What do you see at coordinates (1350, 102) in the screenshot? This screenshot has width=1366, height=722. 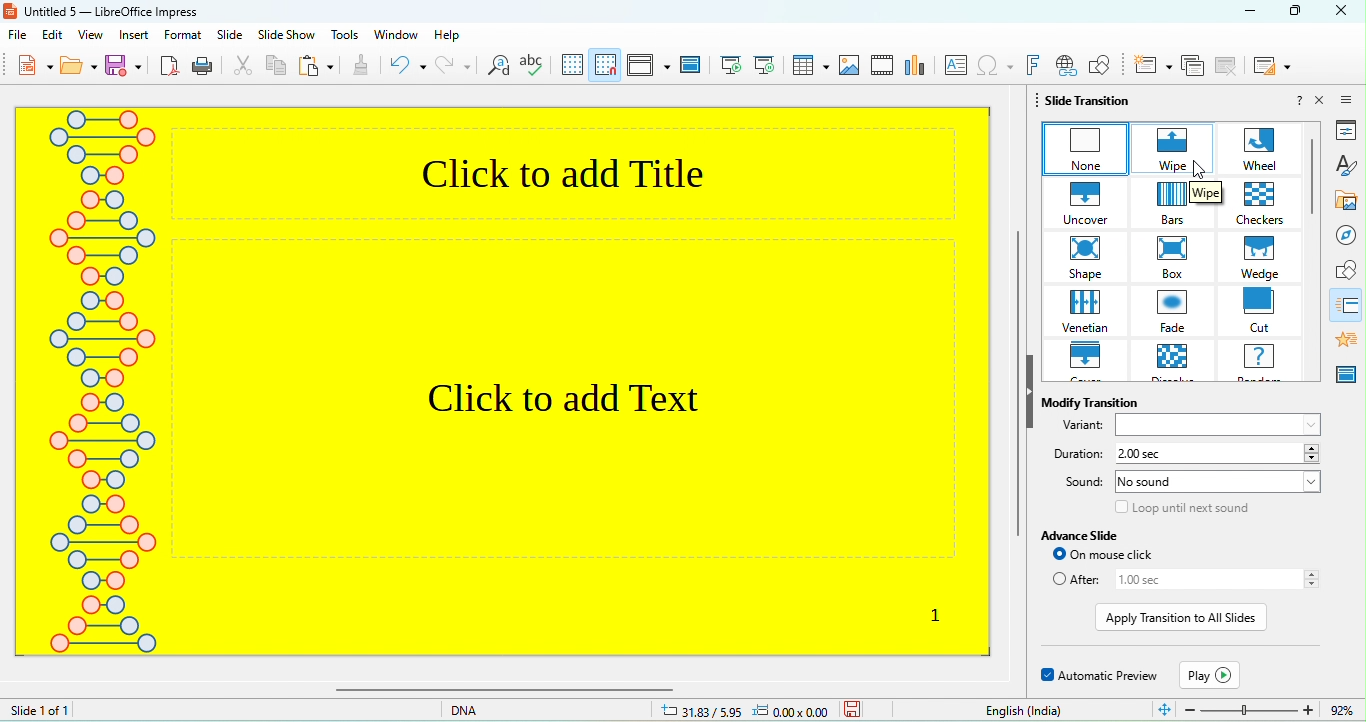 I see `sidebar setting` at bounding box center [1350, 102].